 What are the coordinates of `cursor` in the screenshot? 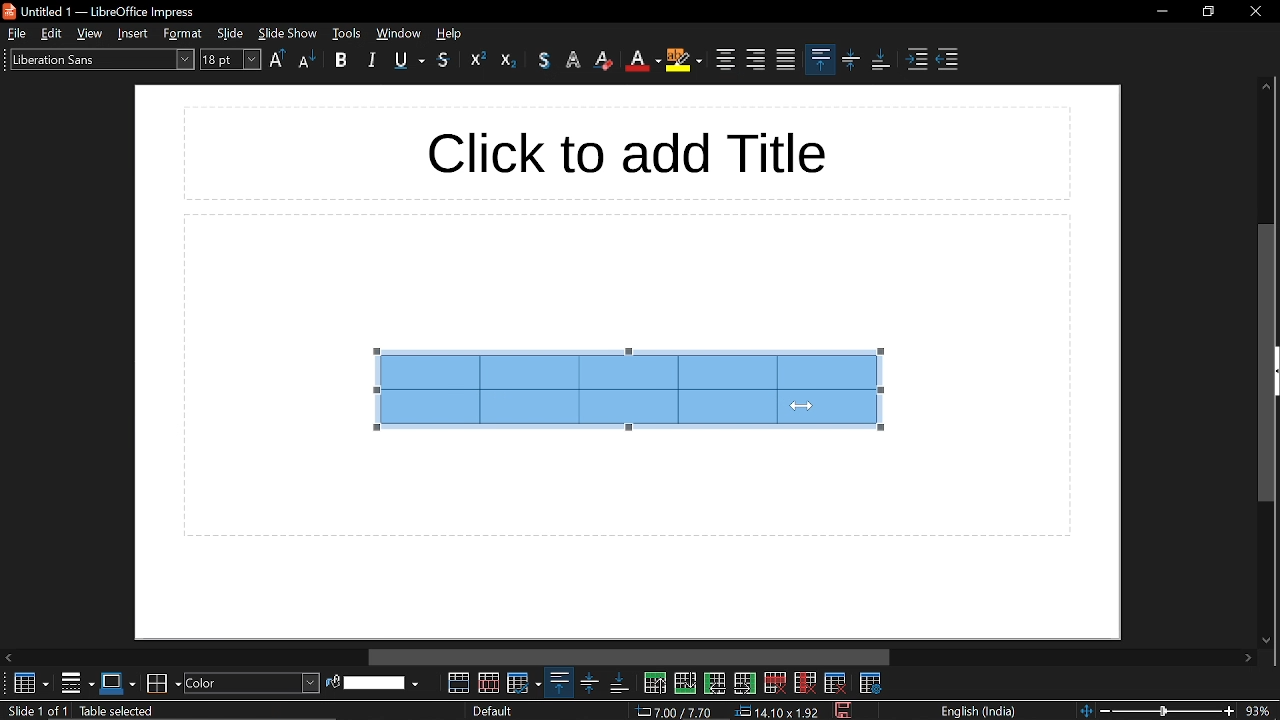 It's located at (801, 405).